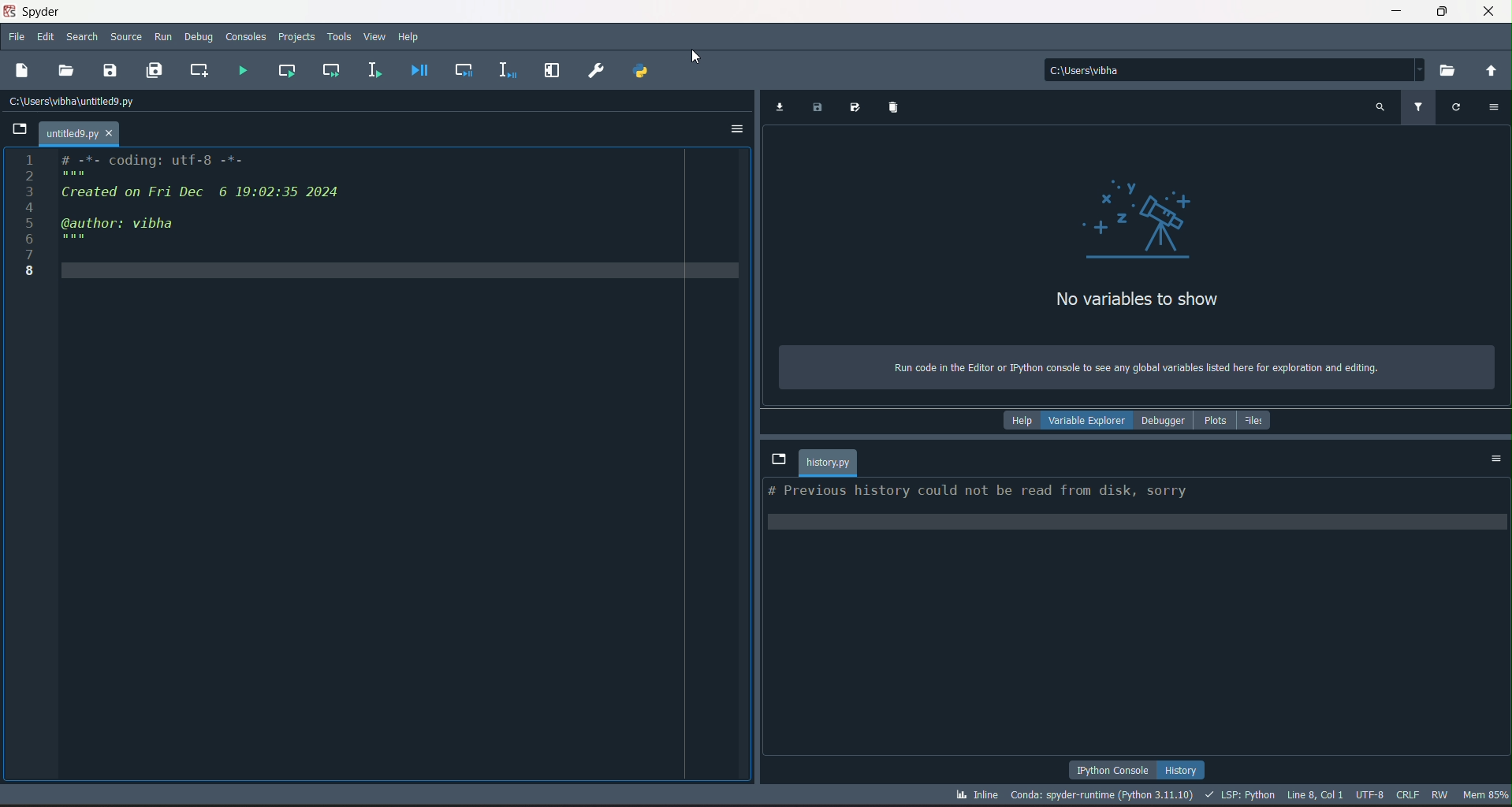 The height and width of the screenshot is (807, 1512). Describe the element at coordinates (17, 128) in the screenshot. I see `browse tabs` at that location.